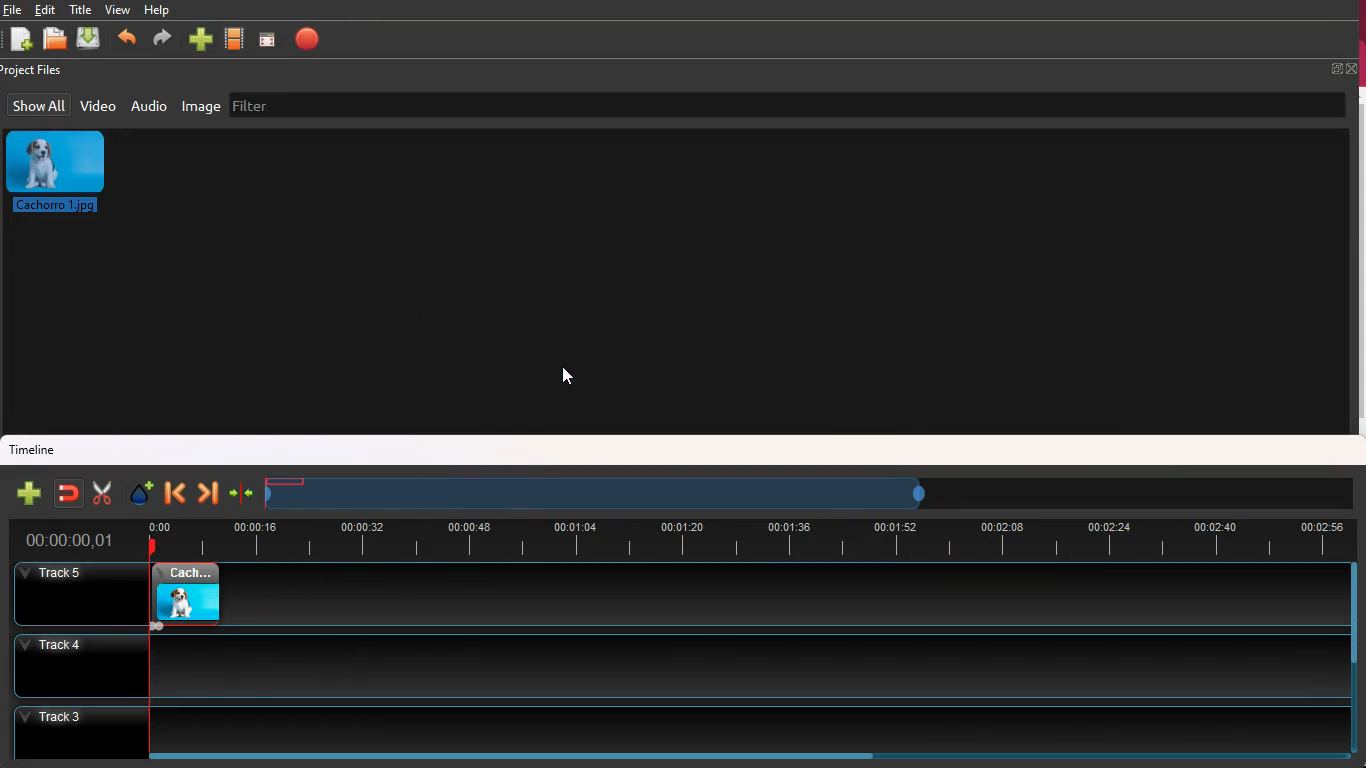 This screenshot has width=1366, height=768. Describe the element at coordinates (81, 8) in the screenshot. I see `title` at that location.